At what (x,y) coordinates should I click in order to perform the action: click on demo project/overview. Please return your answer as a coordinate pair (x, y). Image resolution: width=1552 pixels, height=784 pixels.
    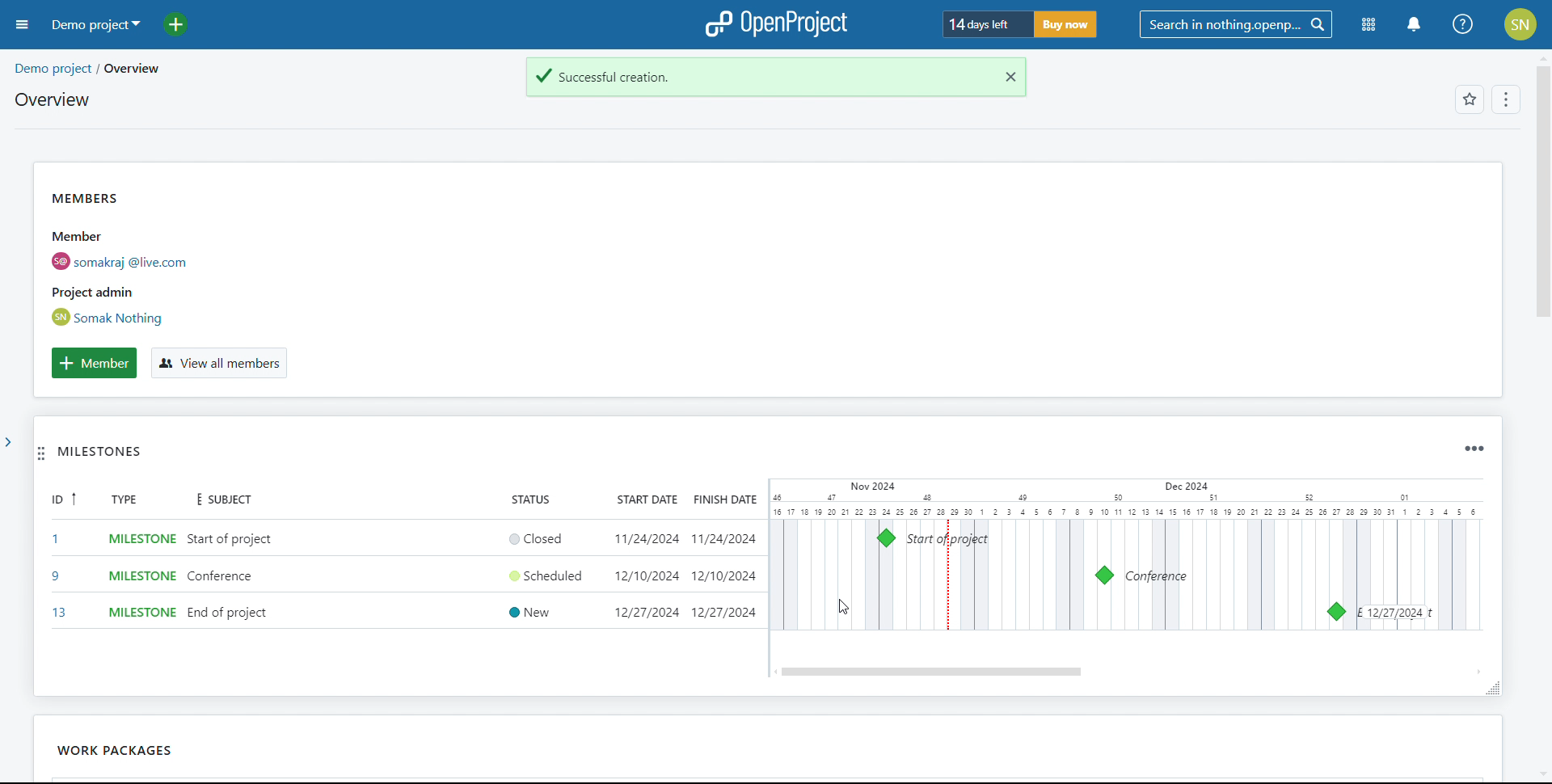
    Looking at the image, I should click on (86, 69).